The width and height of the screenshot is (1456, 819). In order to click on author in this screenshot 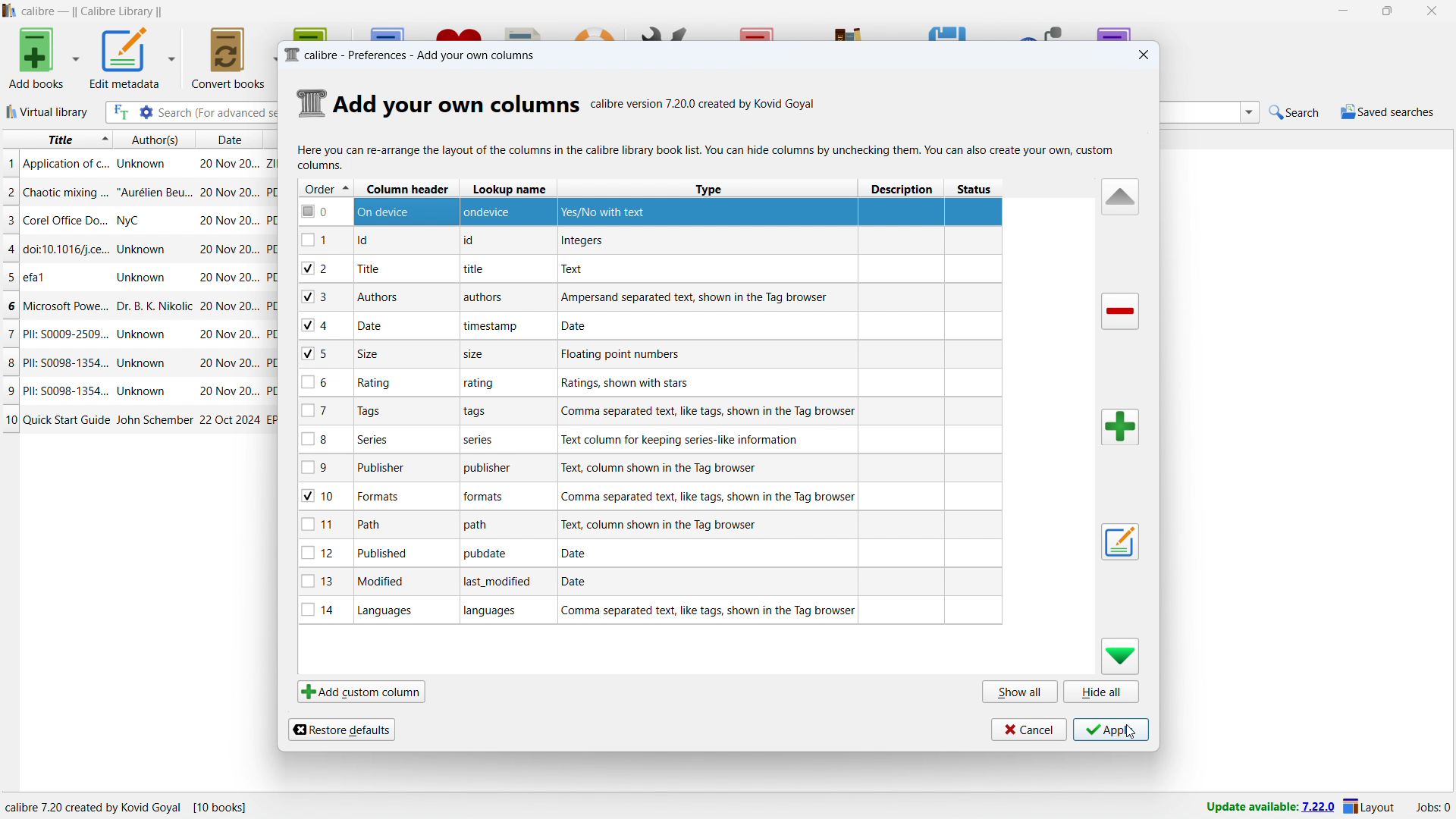, I will do `click(154, 306)`.